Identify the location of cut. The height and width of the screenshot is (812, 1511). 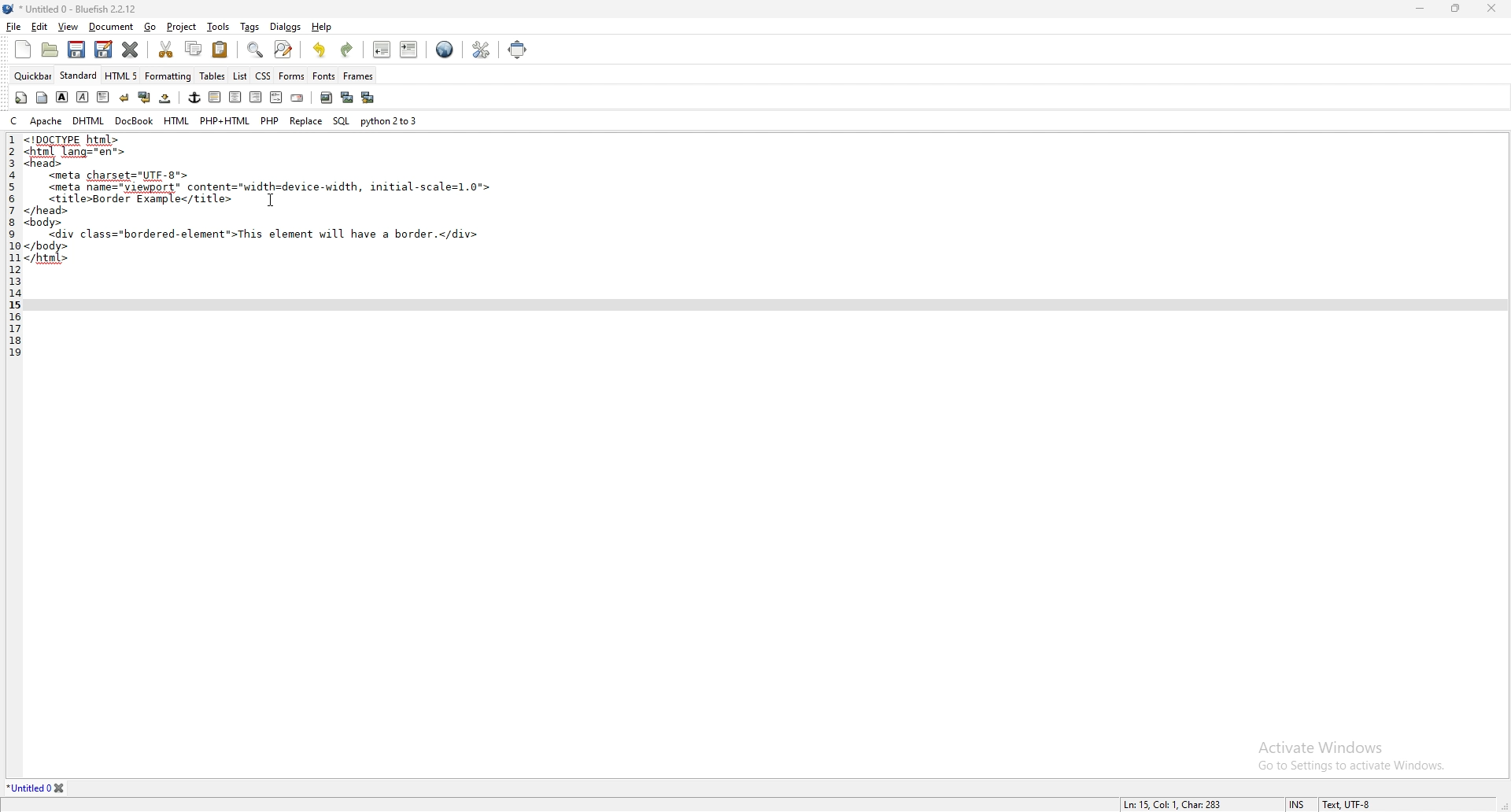
(165, 48).